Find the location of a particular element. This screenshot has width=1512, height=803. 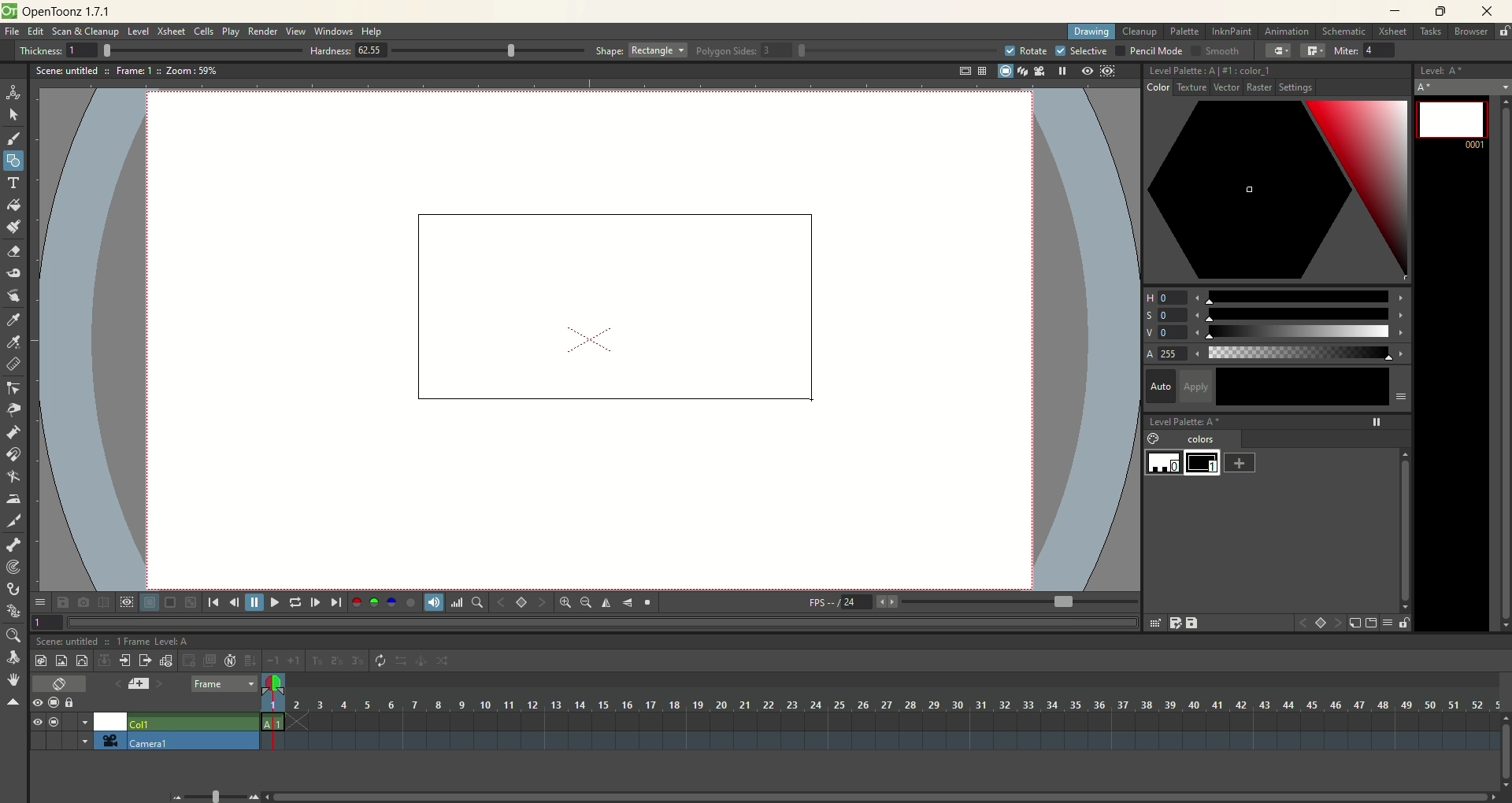

save image is located at coordinates (65, 602).